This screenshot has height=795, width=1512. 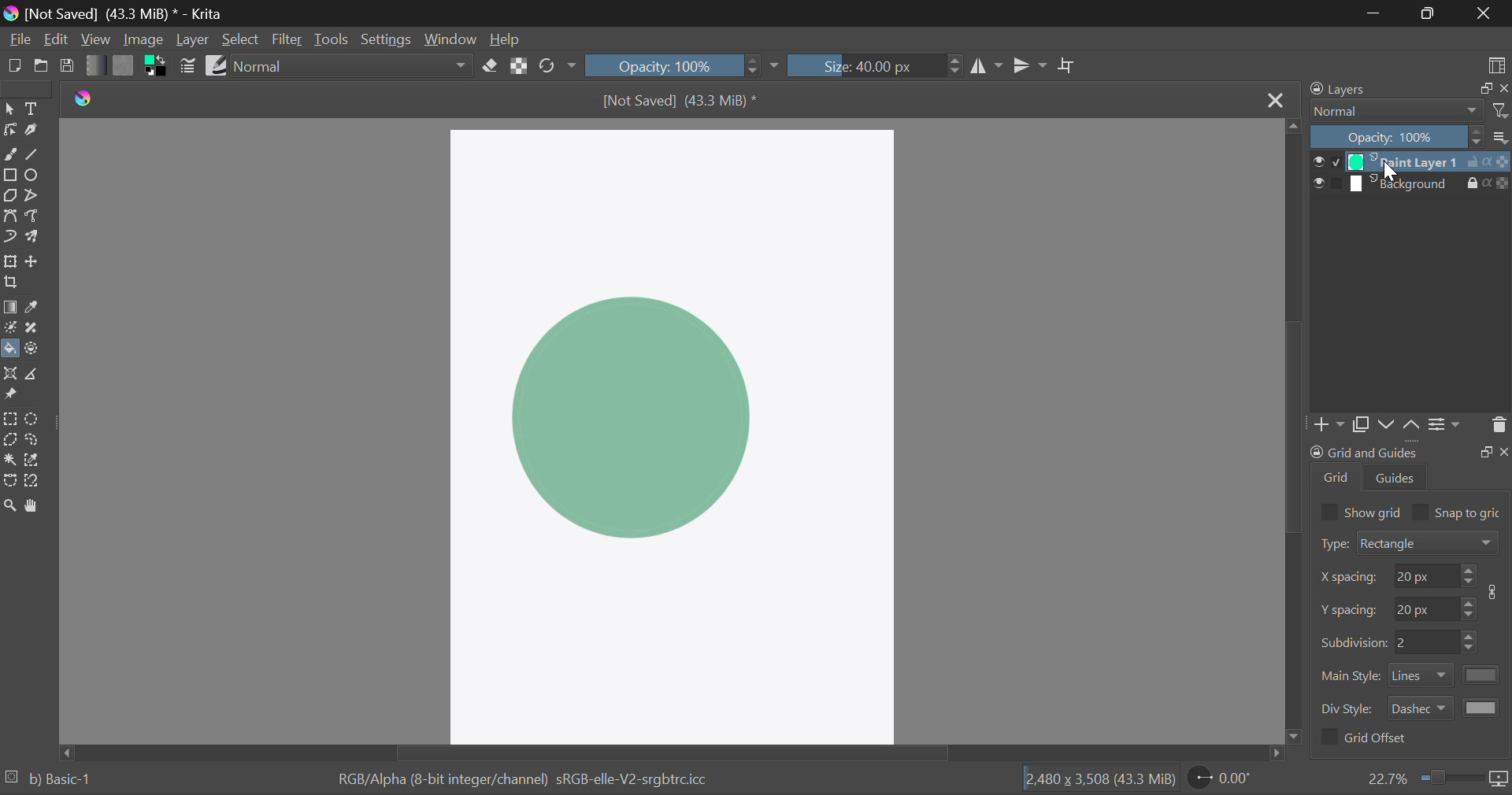 What do you see at coordinates (1375, 13) in the screenshot?
I see `Restore Down` at bounding box center [1375, 13].